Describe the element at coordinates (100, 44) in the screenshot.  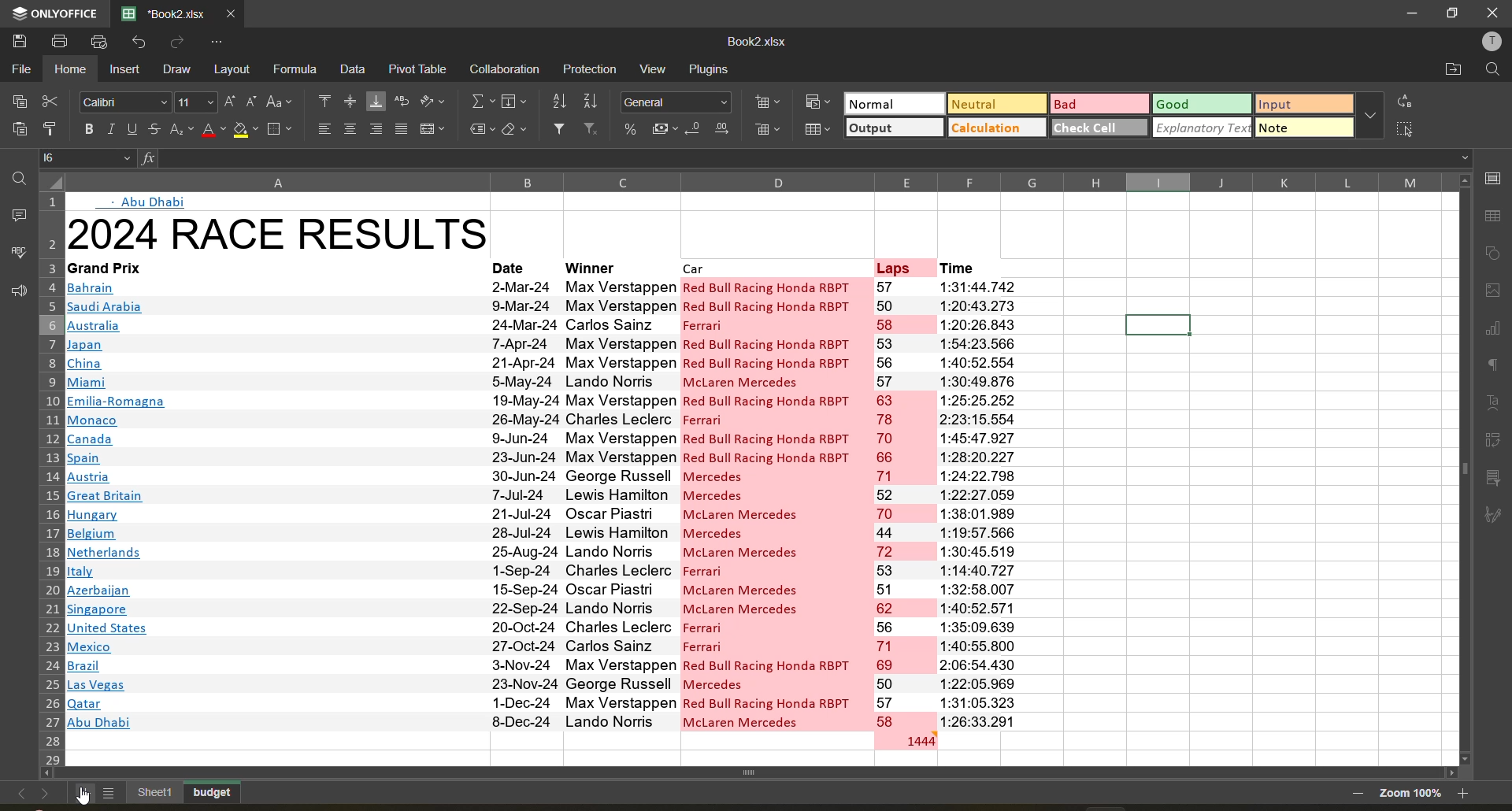
I see `quick print` at that location.